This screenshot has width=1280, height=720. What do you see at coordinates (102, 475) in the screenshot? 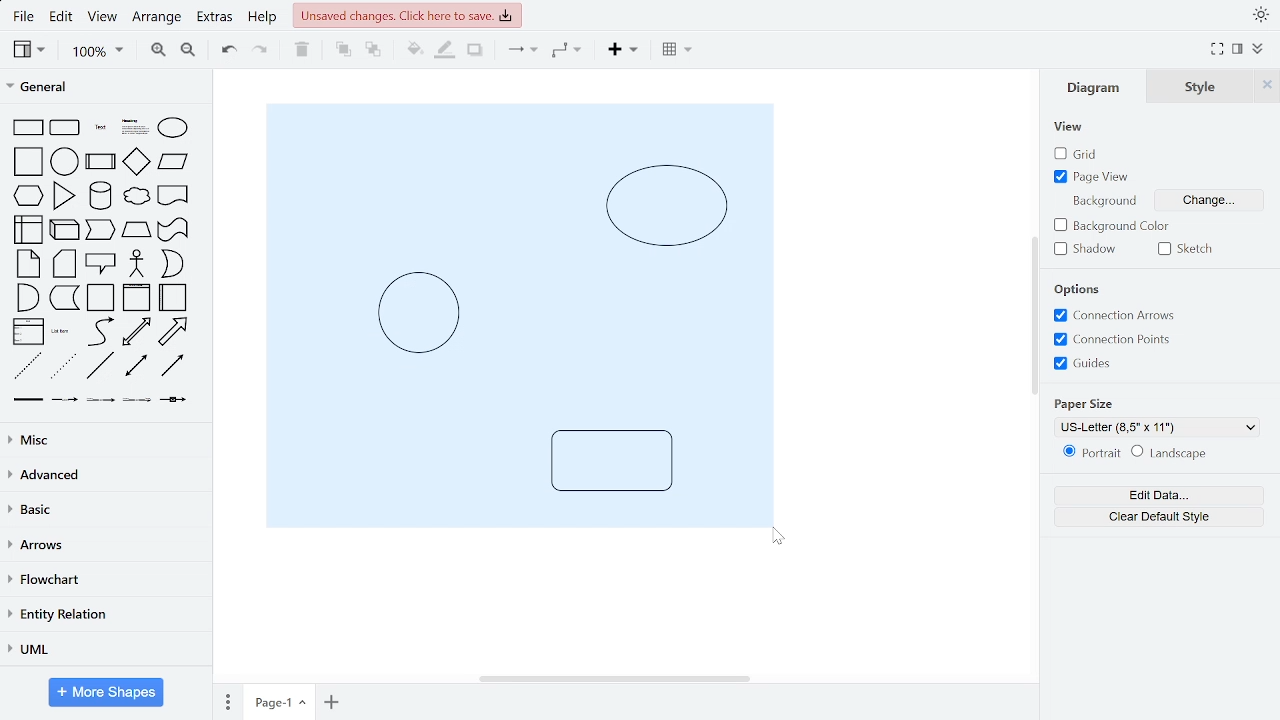
I see `advanced` at bounding box center [102, 475].